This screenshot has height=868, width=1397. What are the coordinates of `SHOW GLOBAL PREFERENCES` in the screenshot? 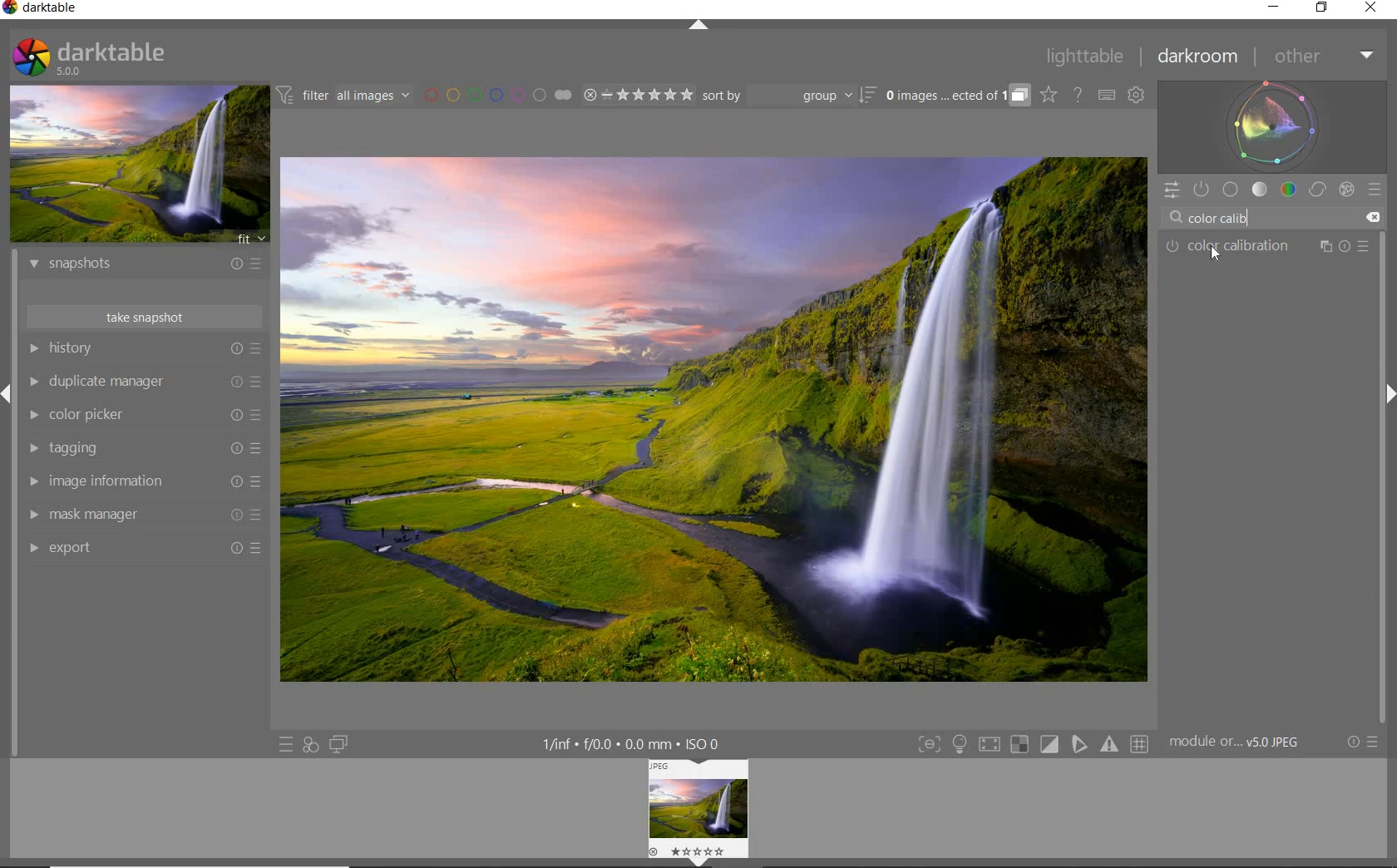 It's located at (1136, 95).